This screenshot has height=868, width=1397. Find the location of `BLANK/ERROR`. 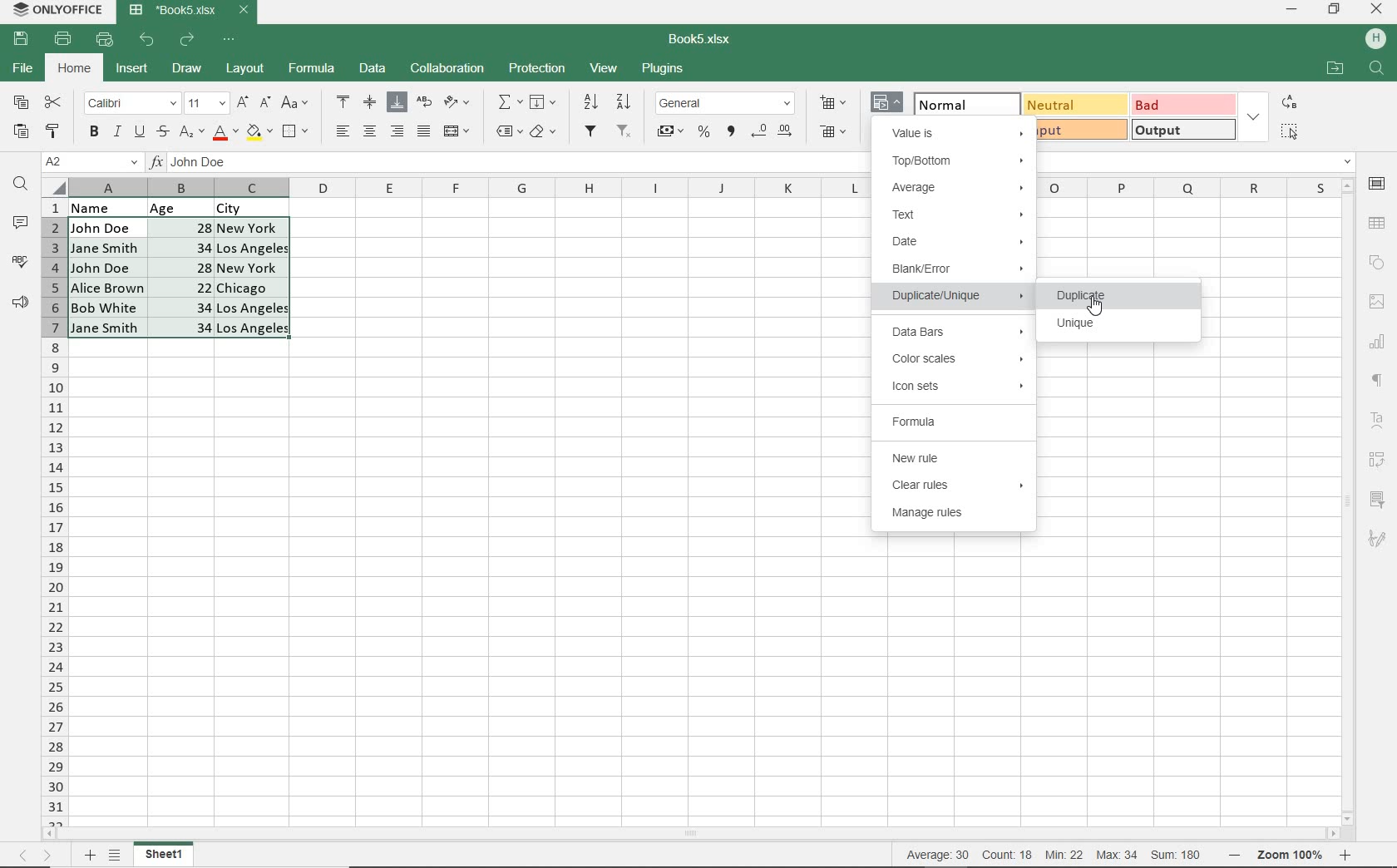

BLANK/ERROR is located at coordinates (955, 272).